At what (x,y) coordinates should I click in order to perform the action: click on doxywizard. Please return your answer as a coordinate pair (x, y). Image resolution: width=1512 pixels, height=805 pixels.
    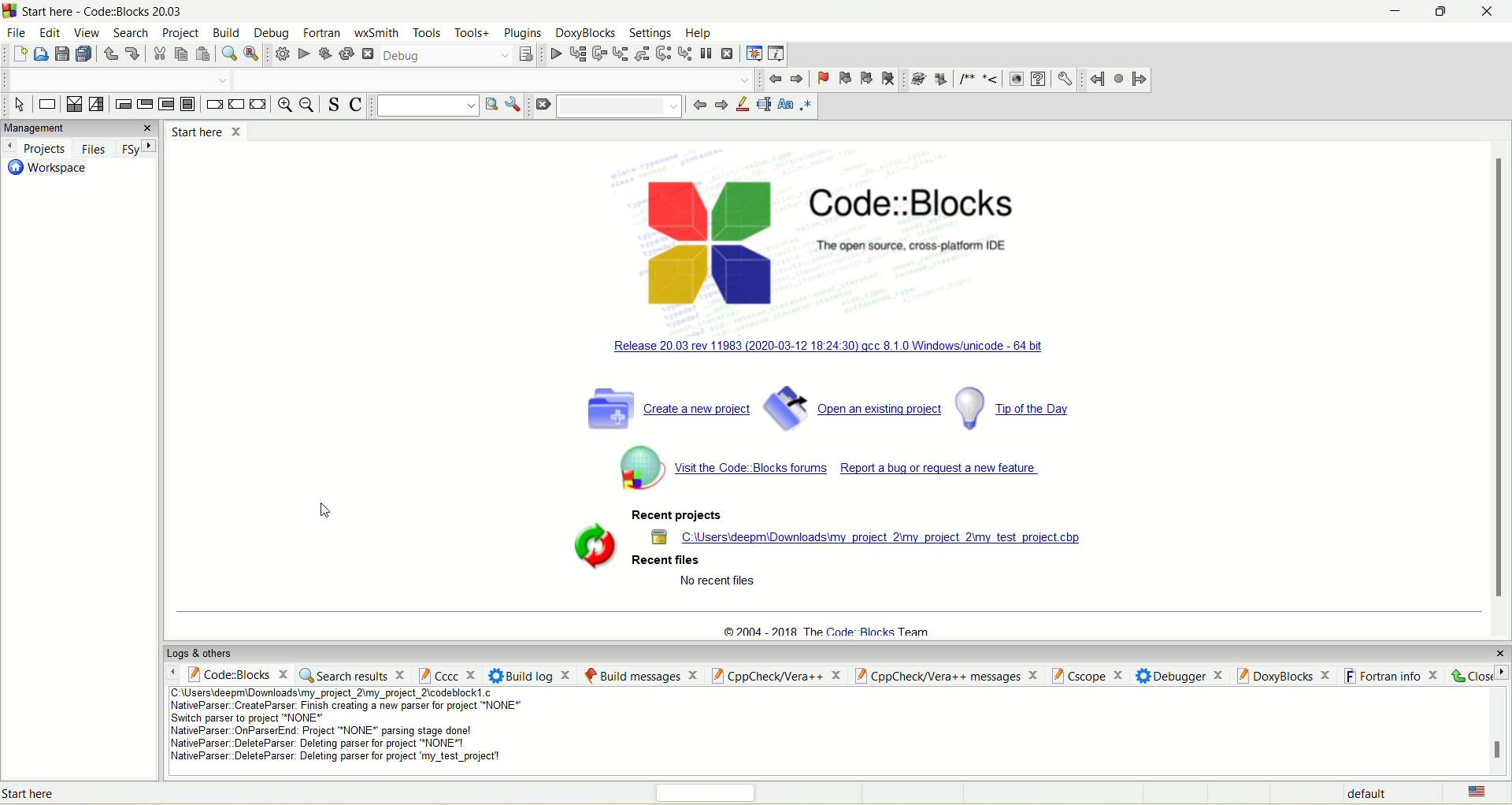
    Looking at the image, I should click on (922, 78).